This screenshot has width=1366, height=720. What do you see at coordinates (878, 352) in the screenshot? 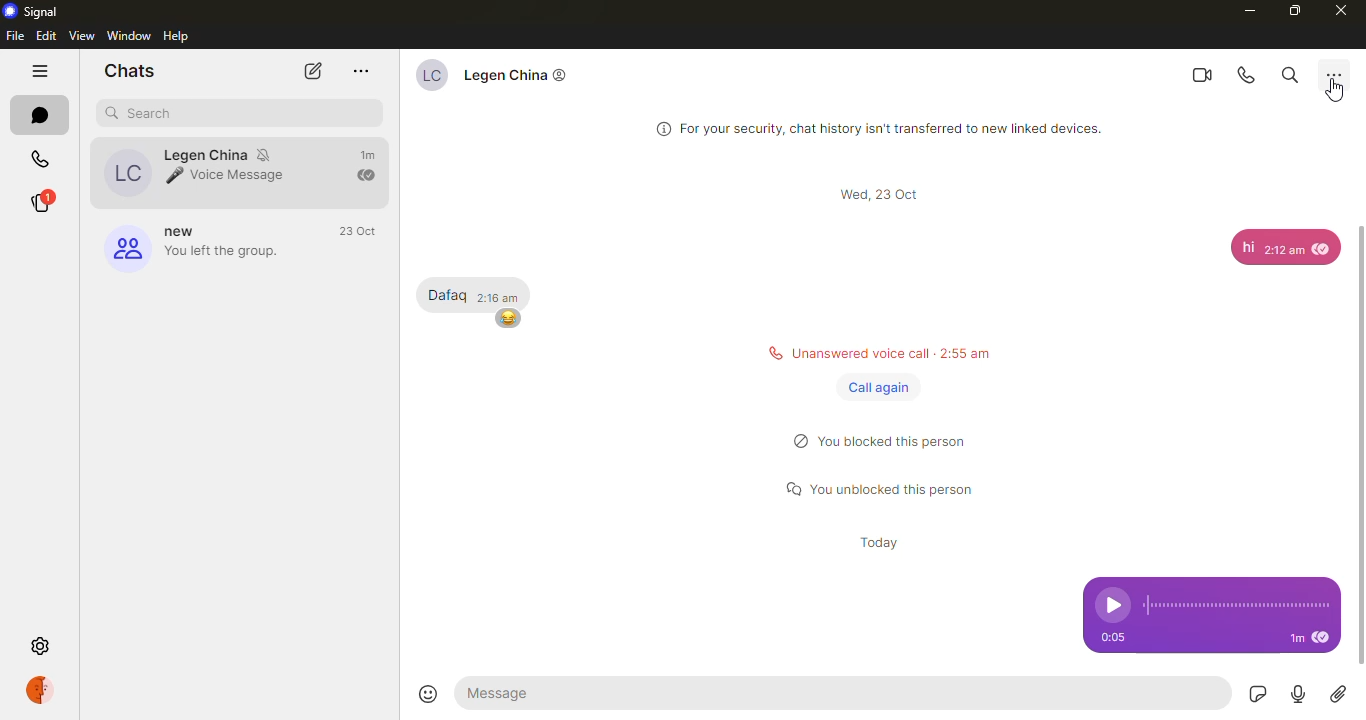
I see `status message` at bounding box center [878, 352].